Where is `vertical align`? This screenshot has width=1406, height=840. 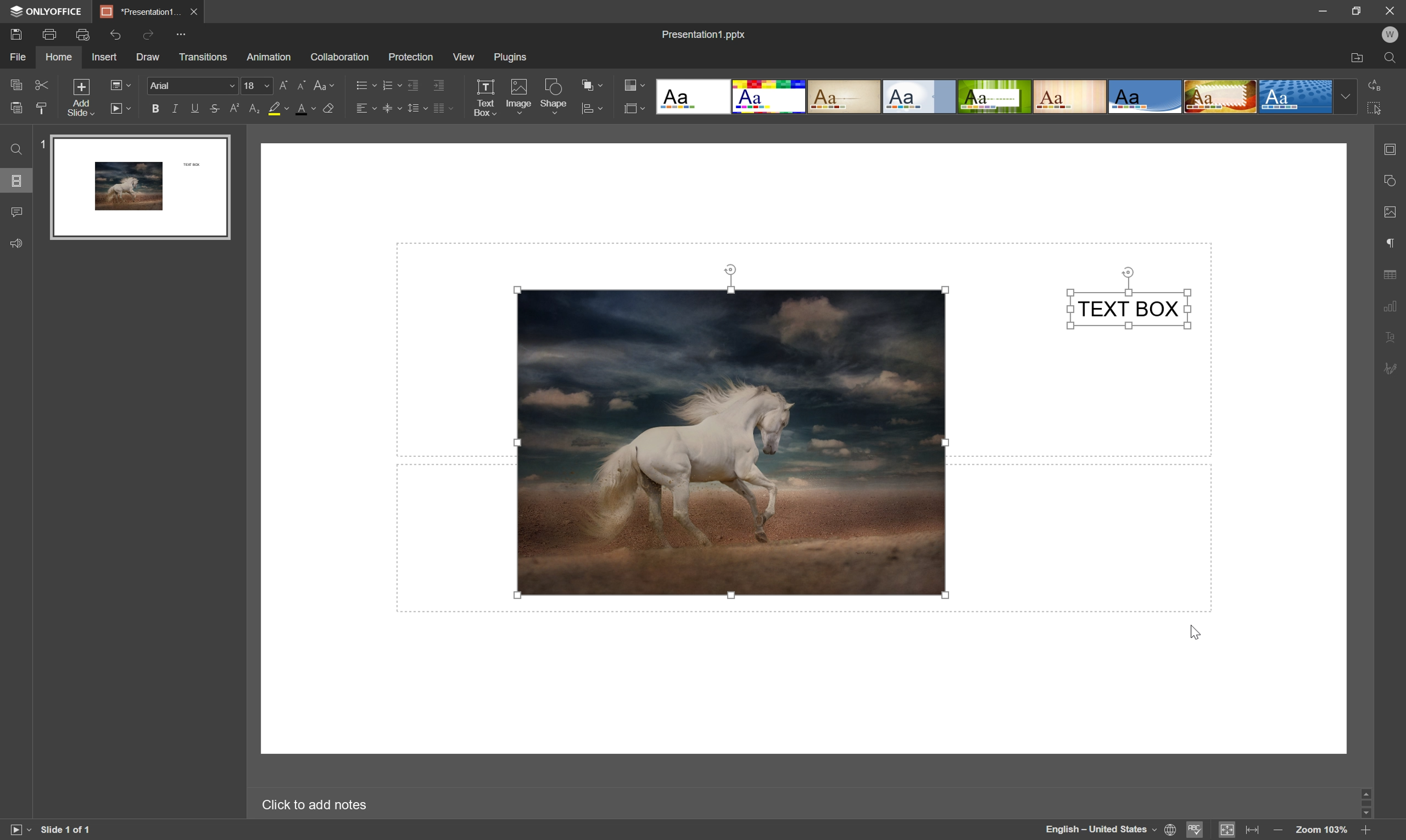 vertical align is located at coordinates (392, 108).